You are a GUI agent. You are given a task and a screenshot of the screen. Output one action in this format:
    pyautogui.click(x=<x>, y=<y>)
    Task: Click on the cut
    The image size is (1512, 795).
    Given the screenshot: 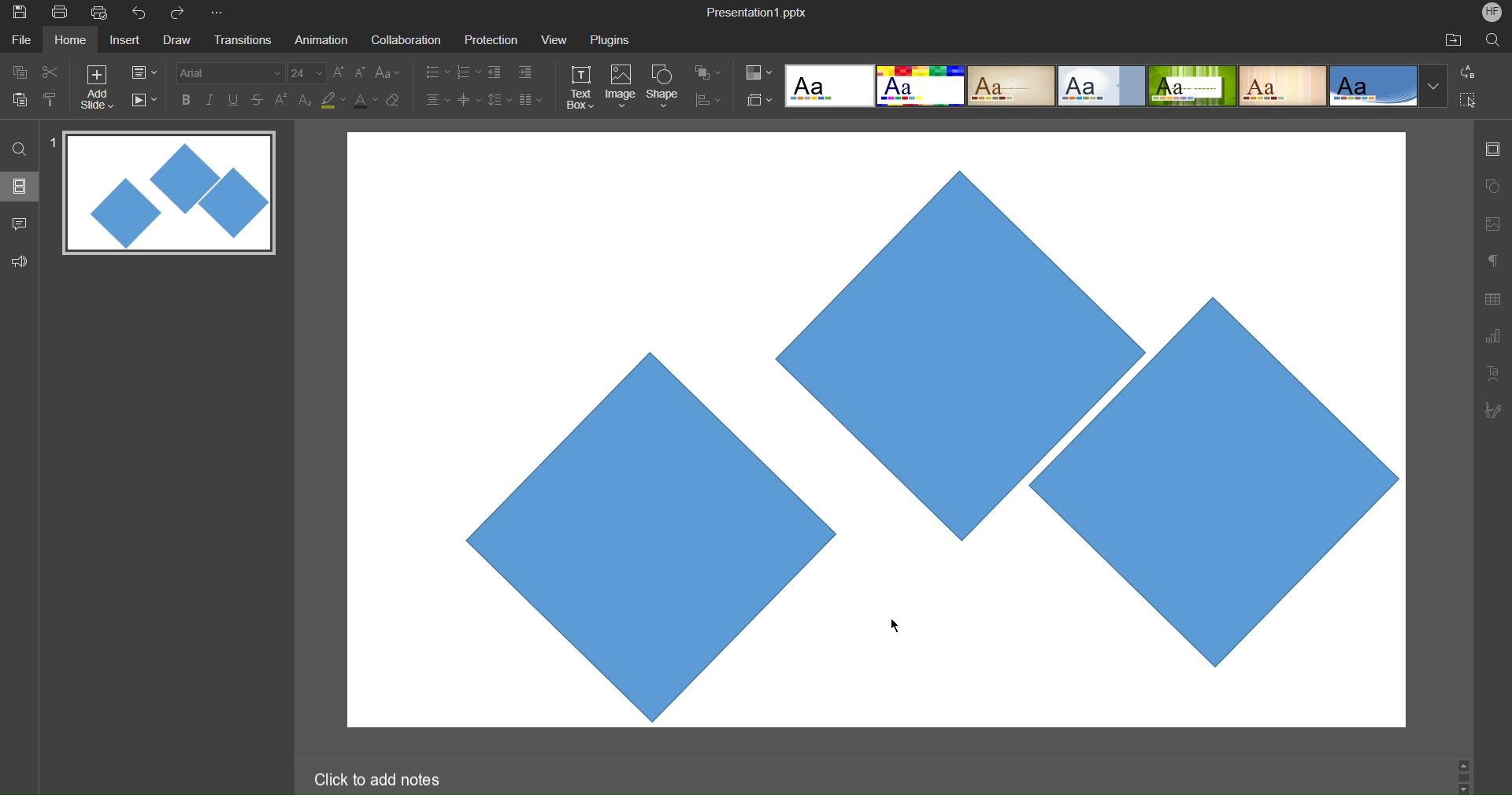 What is the action you would take?
    pyautogui.click(x=50, y=71)
    